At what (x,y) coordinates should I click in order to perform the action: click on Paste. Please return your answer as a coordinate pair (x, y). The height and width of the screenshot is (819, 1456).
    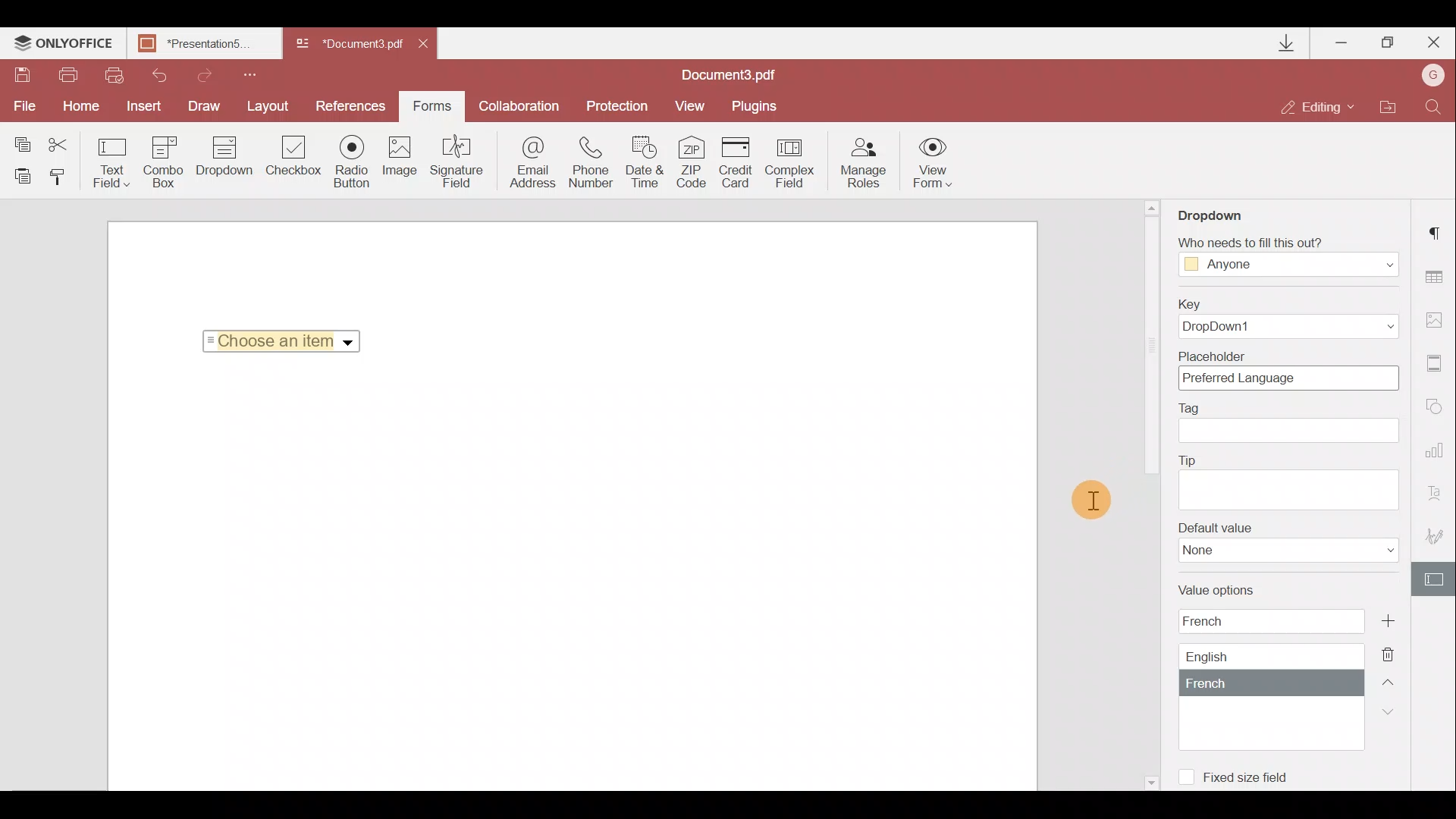
    Looking at the image, I should click on (23, 175).